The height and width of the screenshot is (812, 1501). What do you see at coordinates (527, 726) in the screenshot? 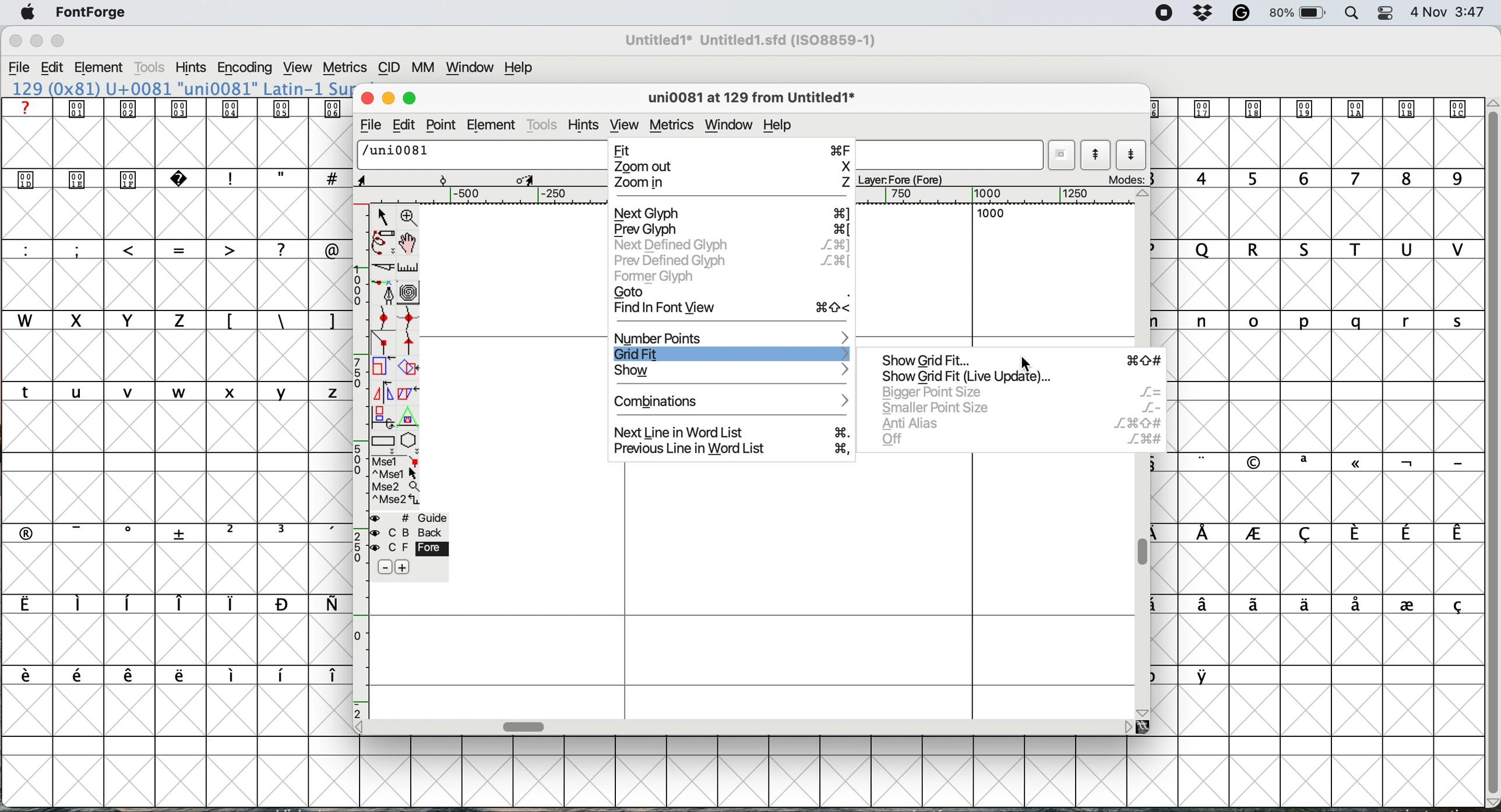
I see `horizontal scroll bar` at bounding box center [527, 726].